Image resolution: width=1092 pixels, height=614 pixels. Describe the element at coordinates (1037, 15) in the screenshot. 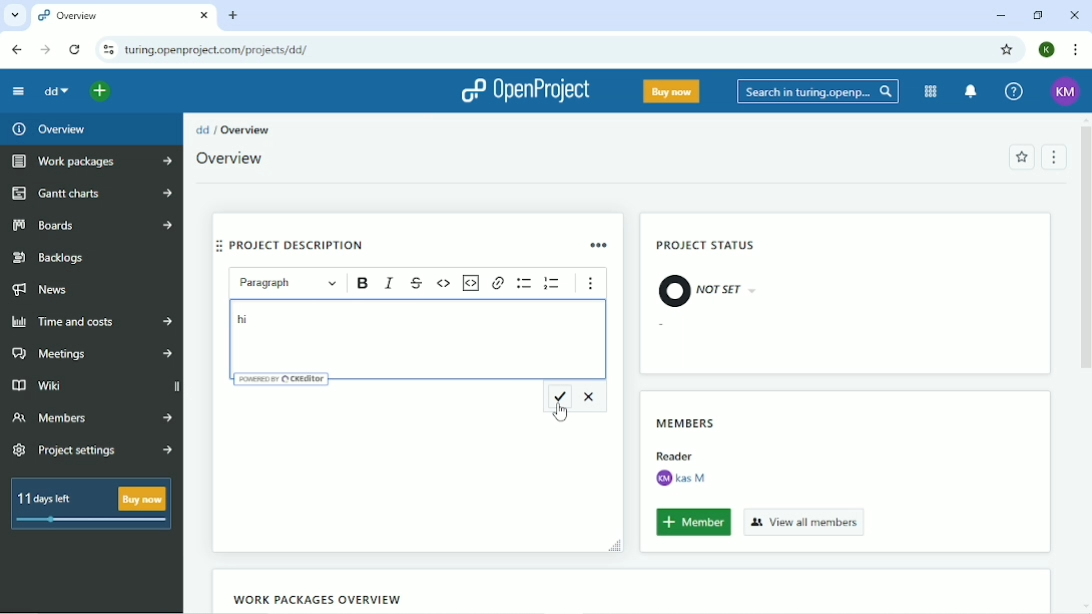

I see `Restore down` at that location.